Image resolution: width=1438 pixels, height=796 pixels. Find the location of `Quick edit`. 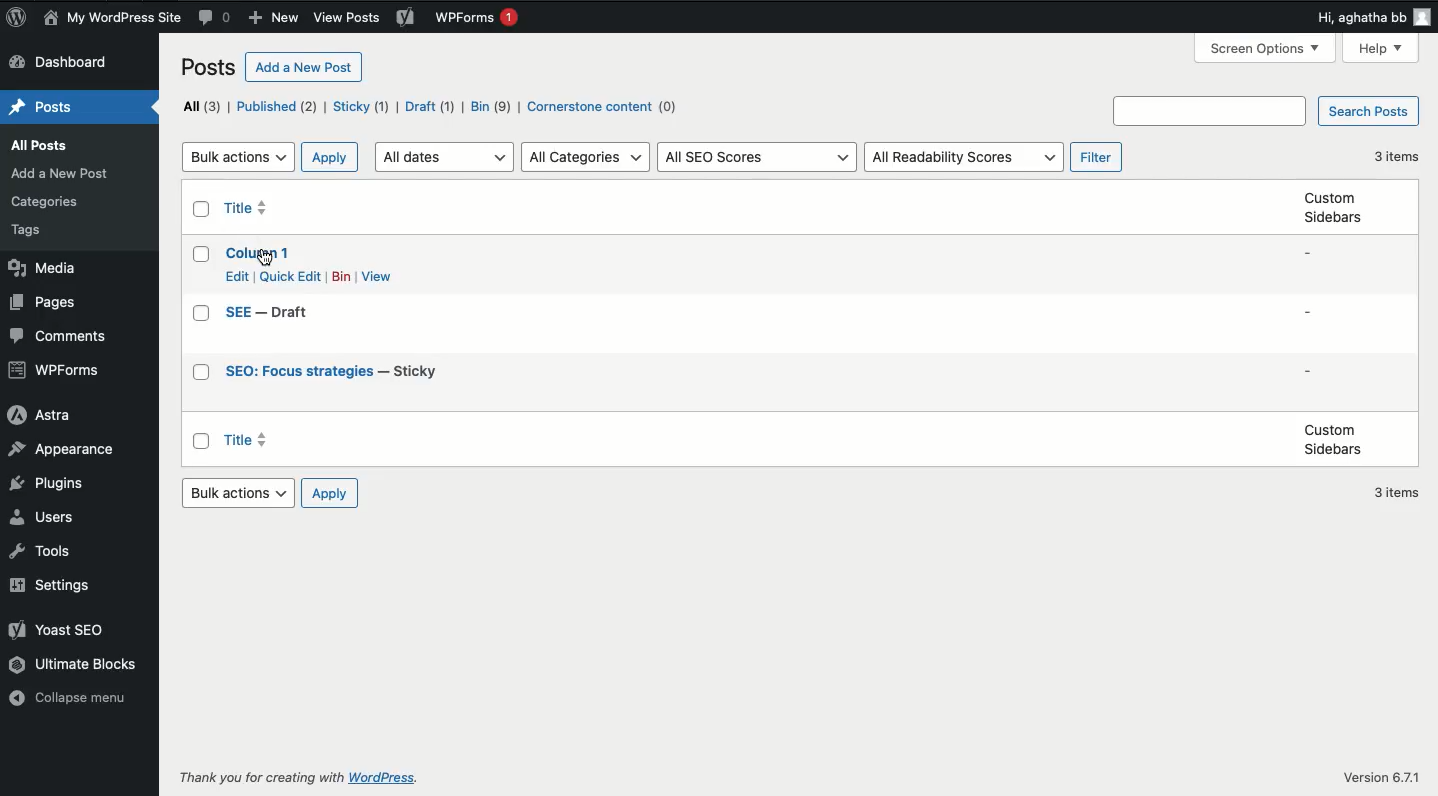

Quick edit is located at coordinates (293, 275).